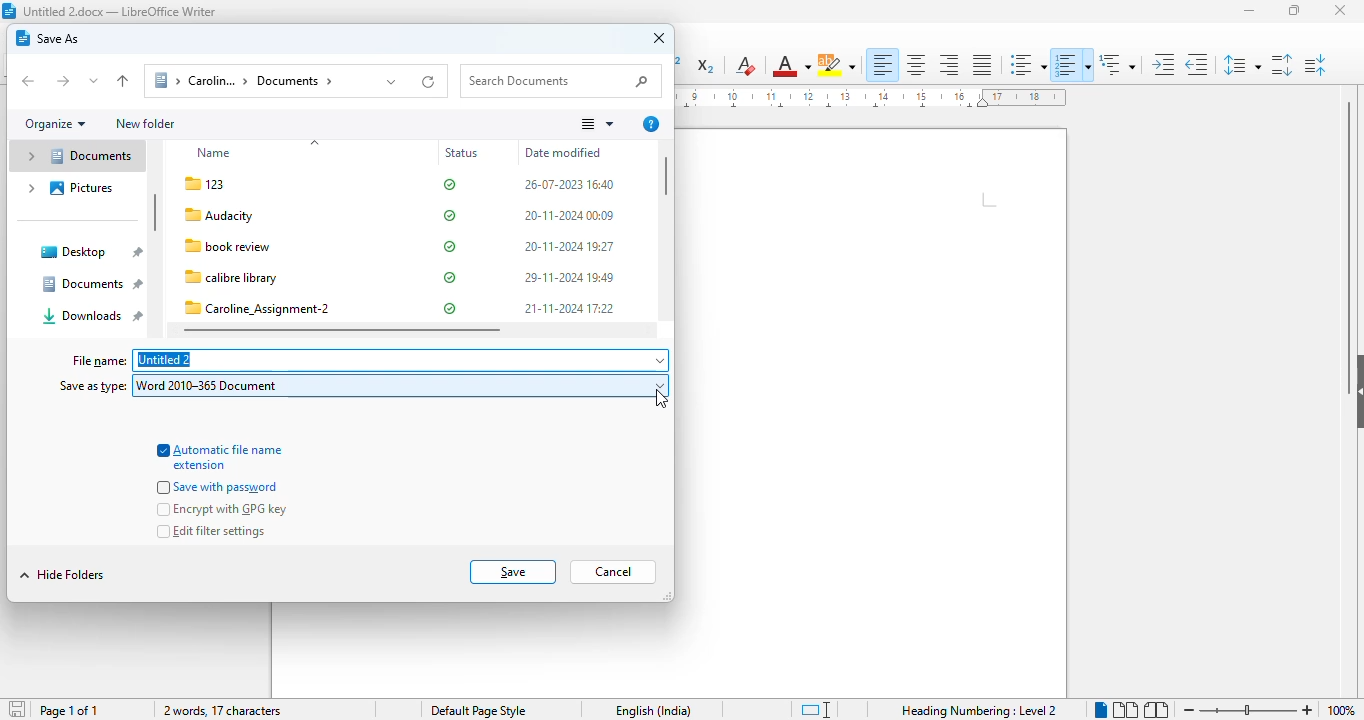 The image size is (1364, 720). I want to click on close, so click(1341, 11).